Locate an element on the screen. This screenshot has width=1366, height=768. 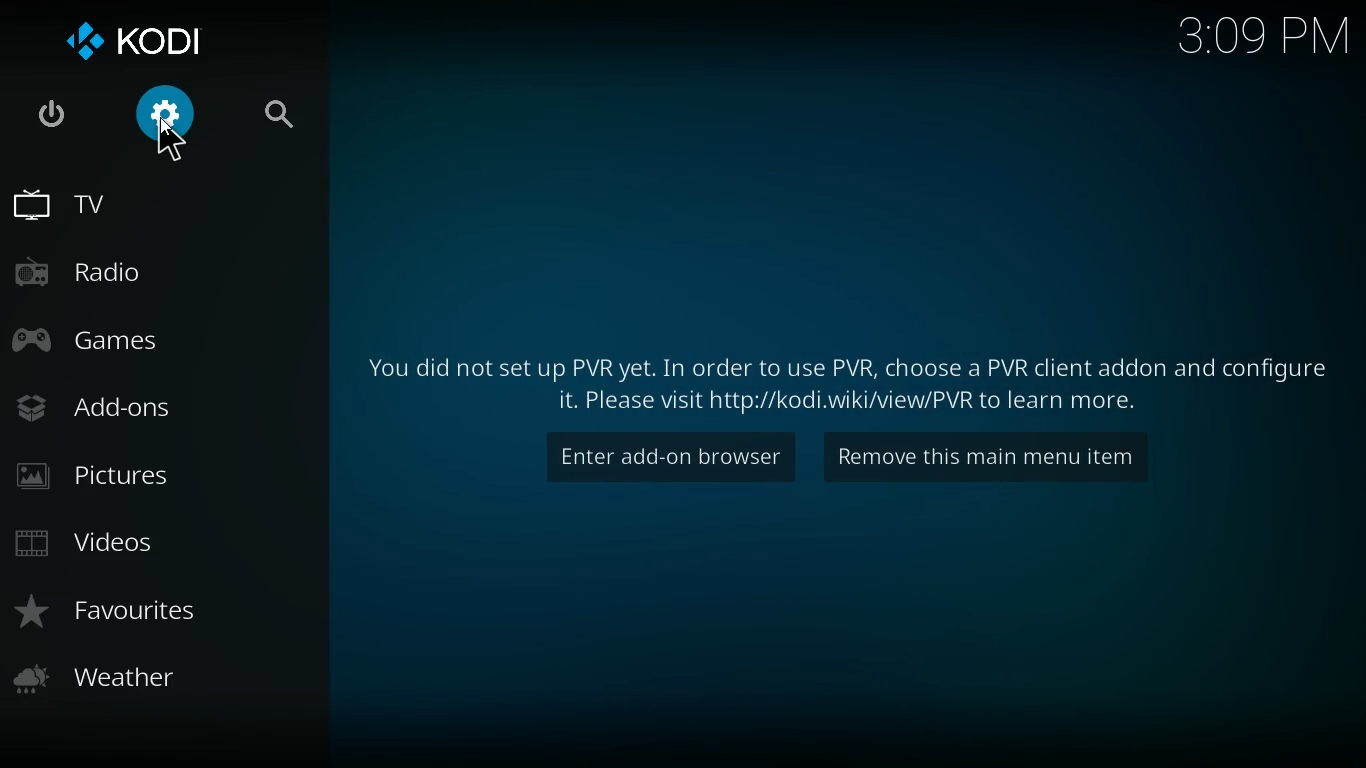
enter add-on browser is located at coordinates (666, 458).